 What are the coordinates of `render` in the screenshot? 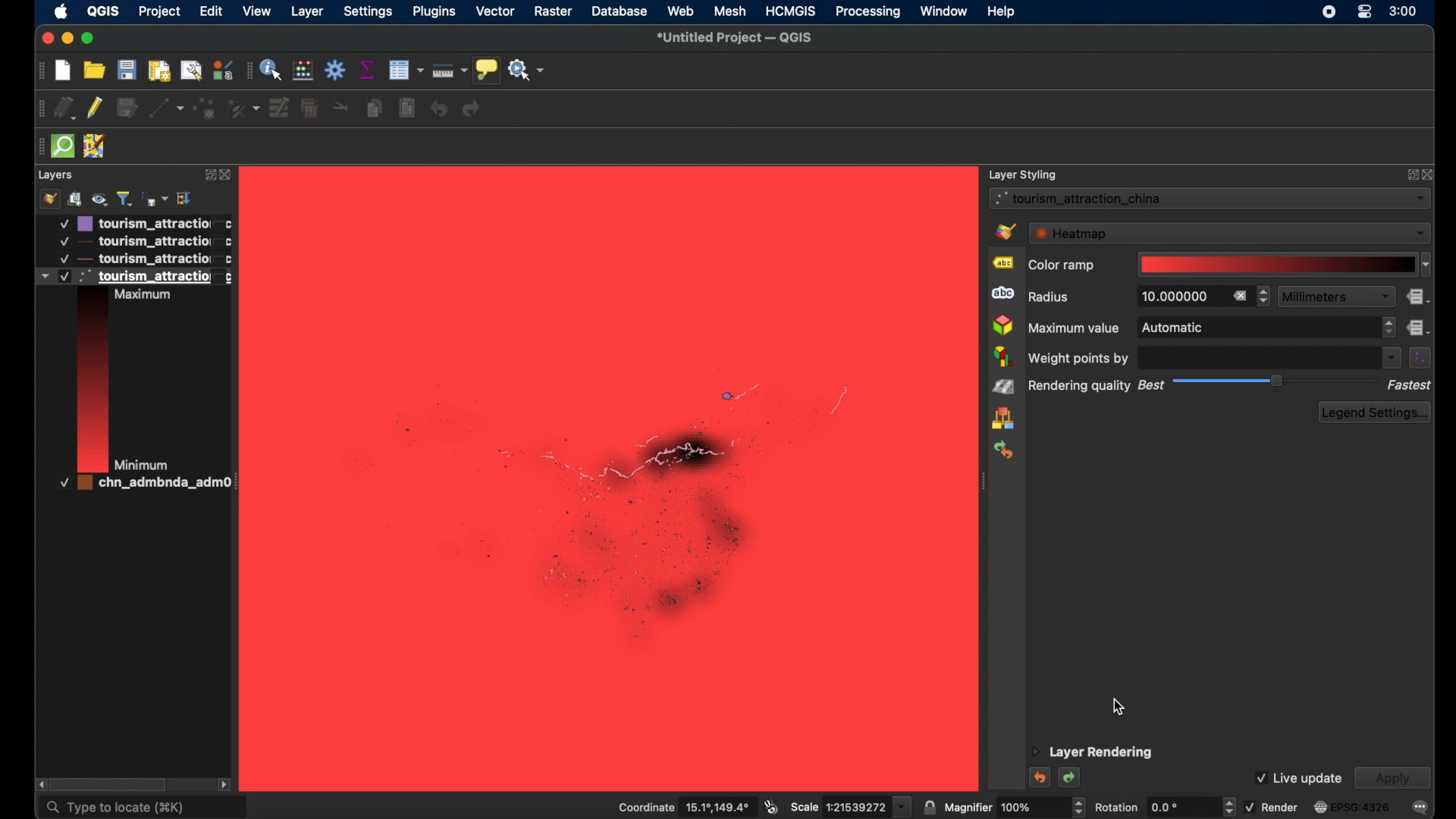 It's located at (1271, 806).